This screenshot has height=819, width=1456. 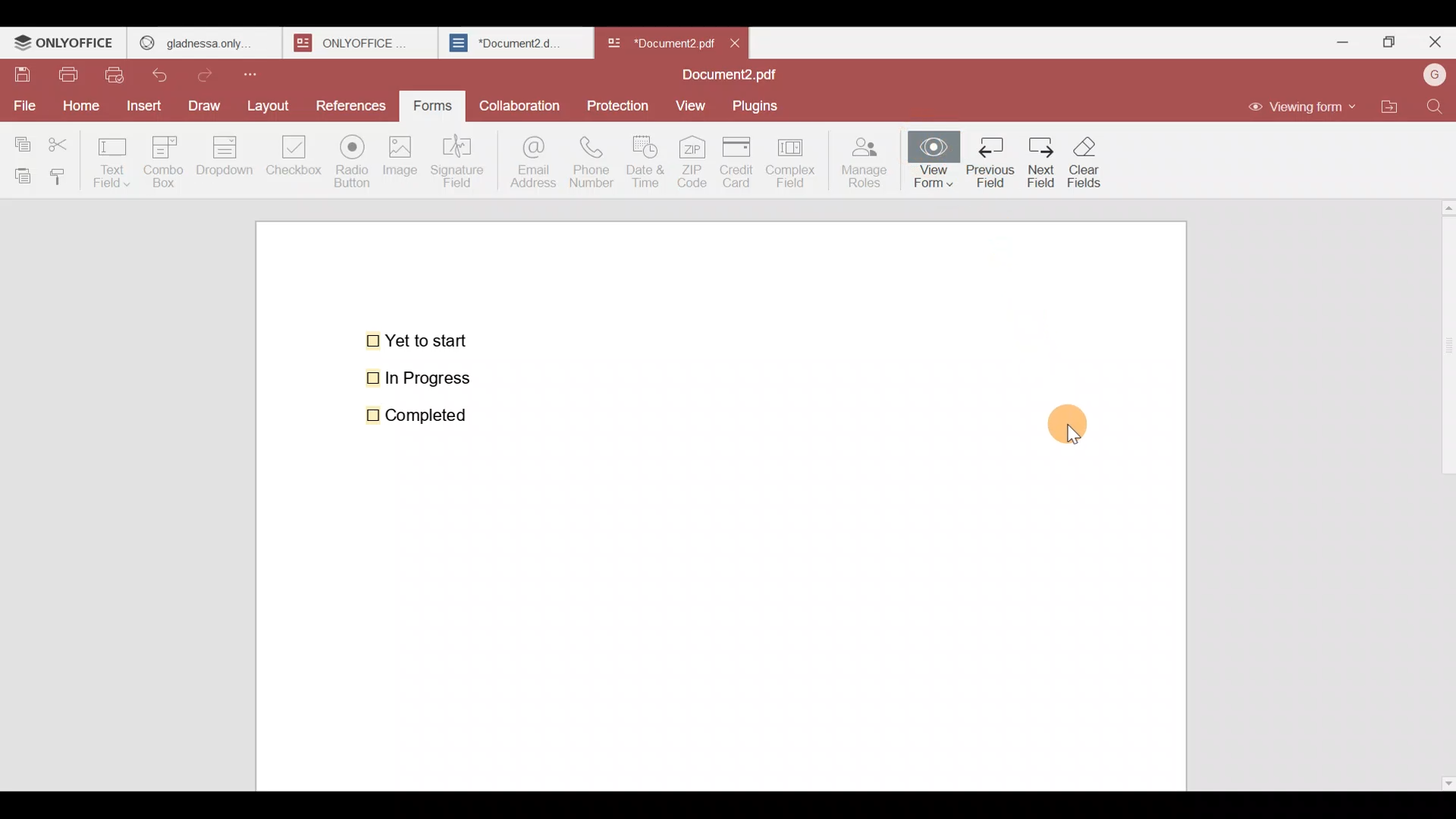 I want to click on Account name, so click(x=1434, y=74).